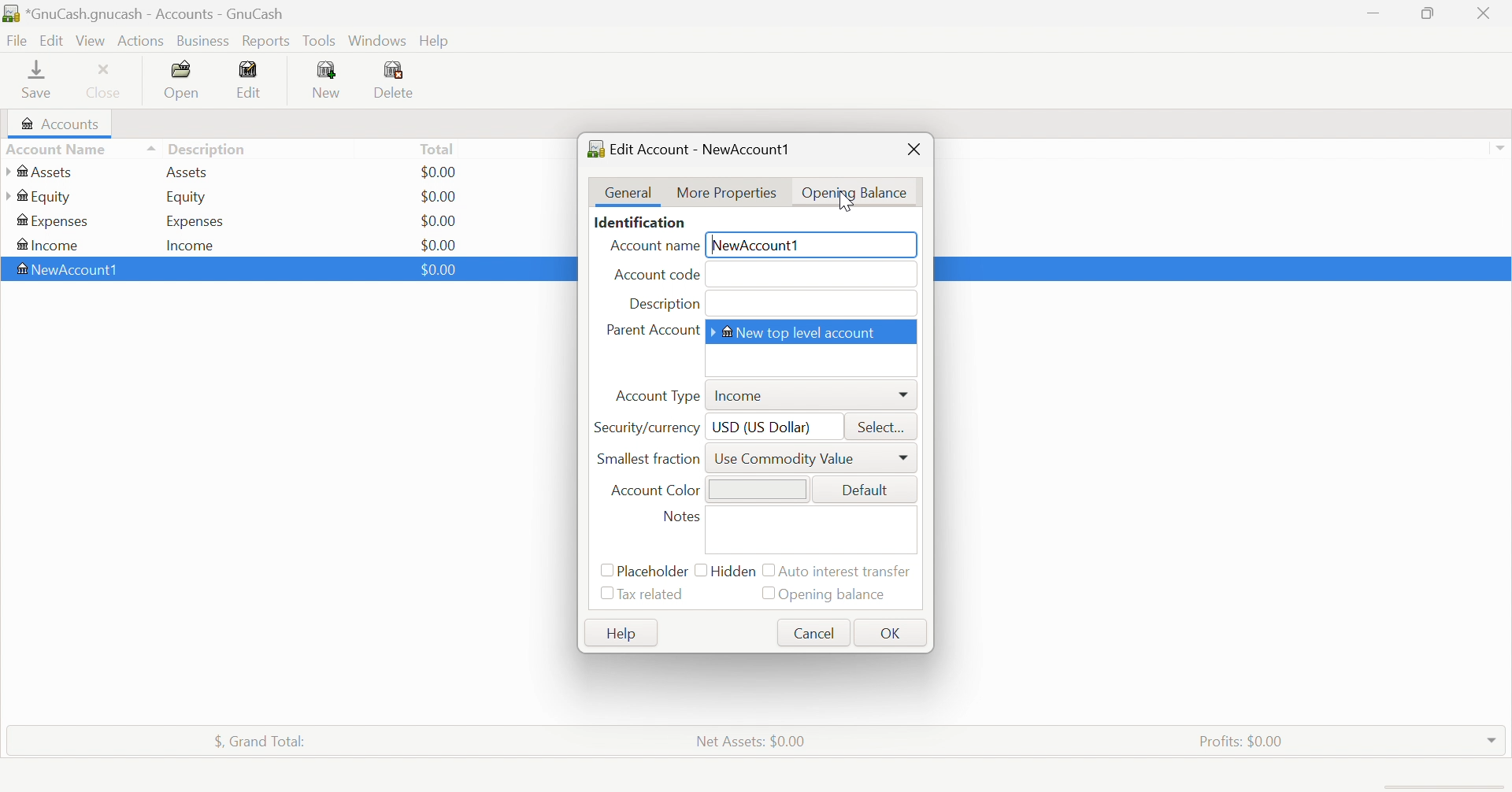  I want to click on Parent Account, so click(652, 331).